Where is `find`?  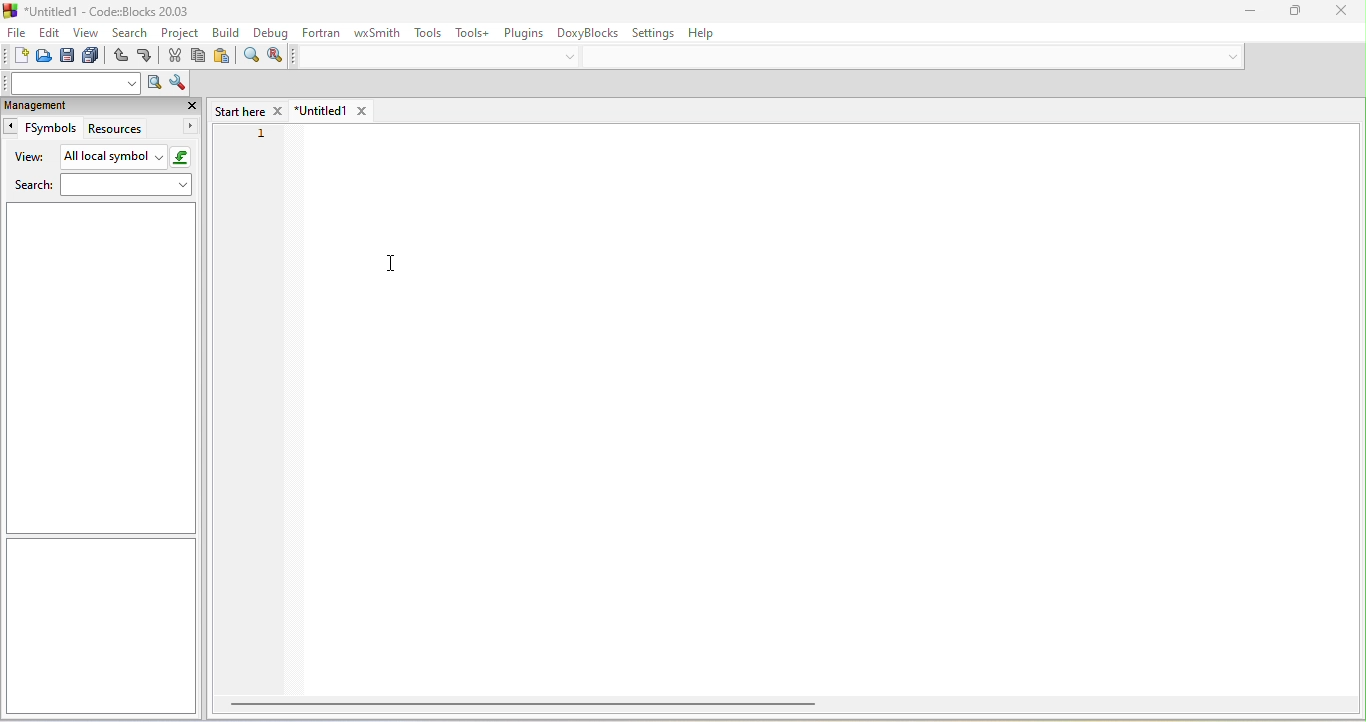 find is located at coordinates (251, 58).